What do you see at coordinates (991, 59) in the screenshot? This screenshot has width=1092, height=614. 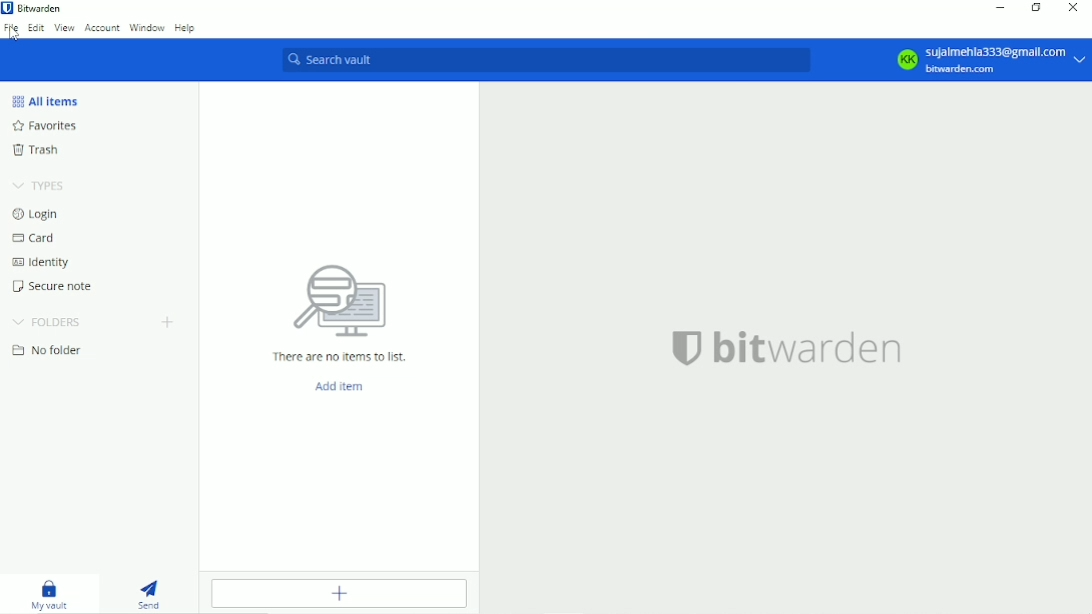 I see `sujalmehta333@gmall.com   bitwarden.com` at bounding box center [991, 59].